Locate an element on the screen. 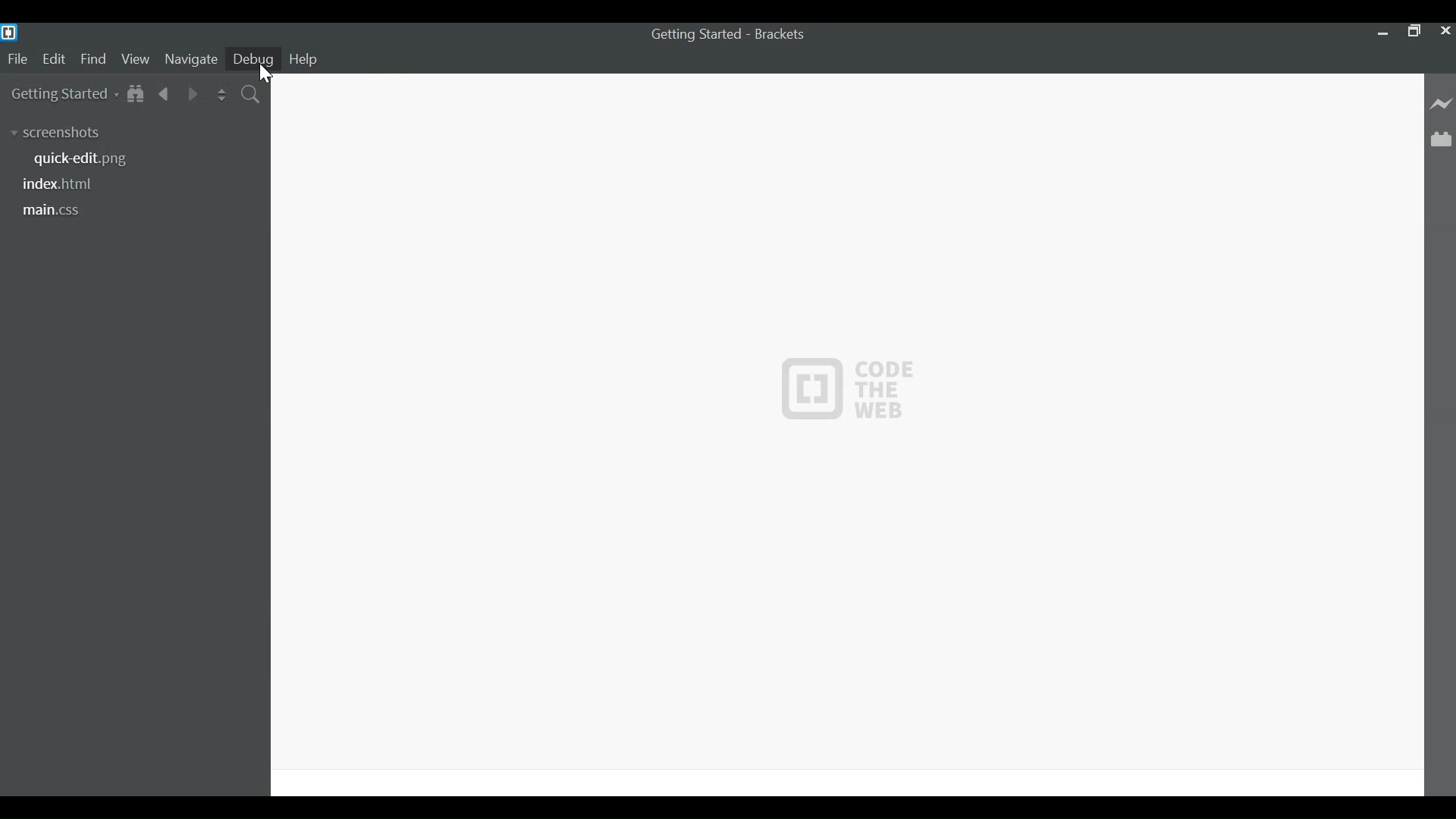 This screenshot has height=819, width=1456. Split the Editor Vertically or horizontally is located at coordinates (221, 95).